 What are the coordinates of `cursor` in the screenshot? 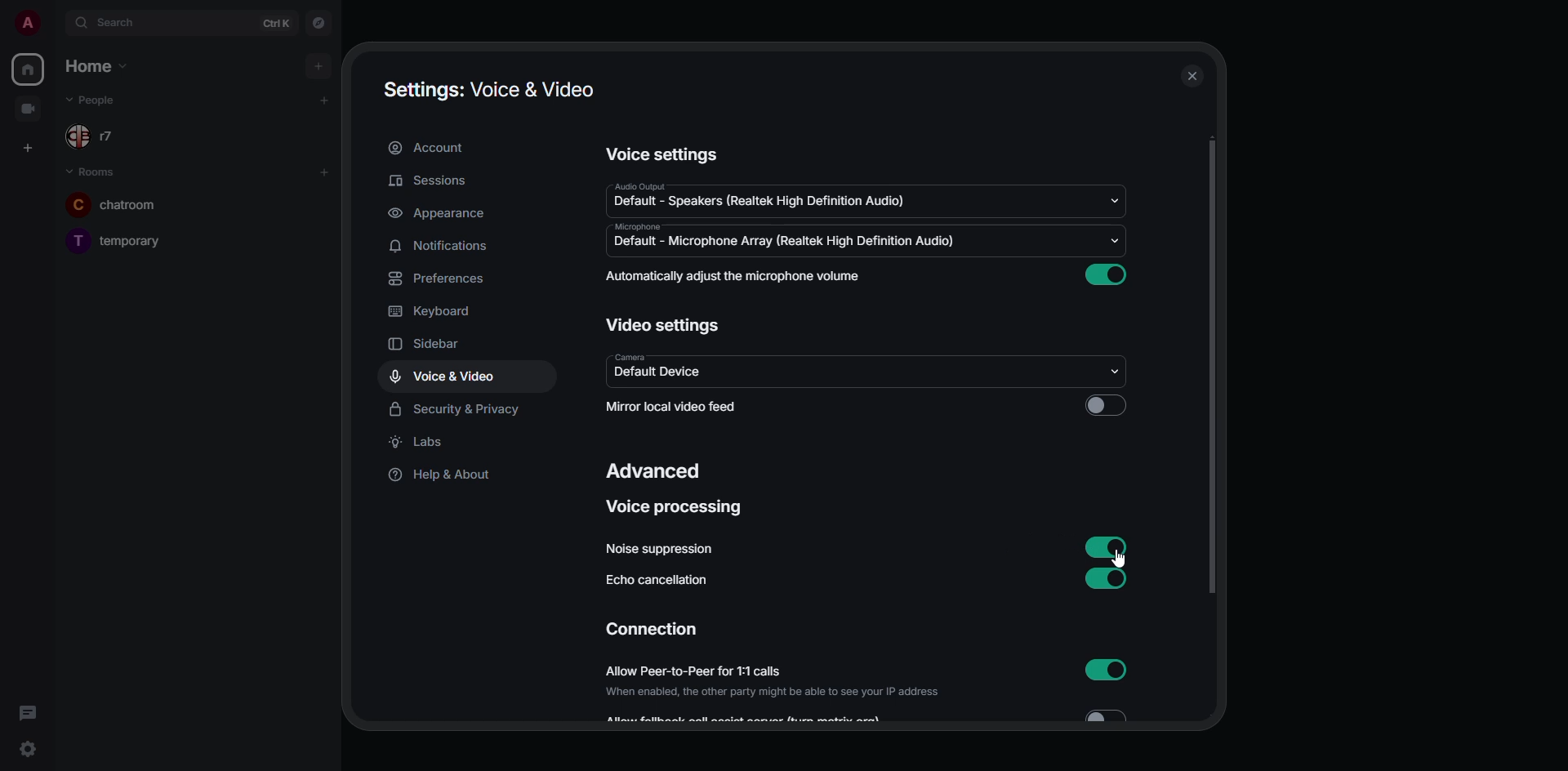 It's located at (1125, 559).